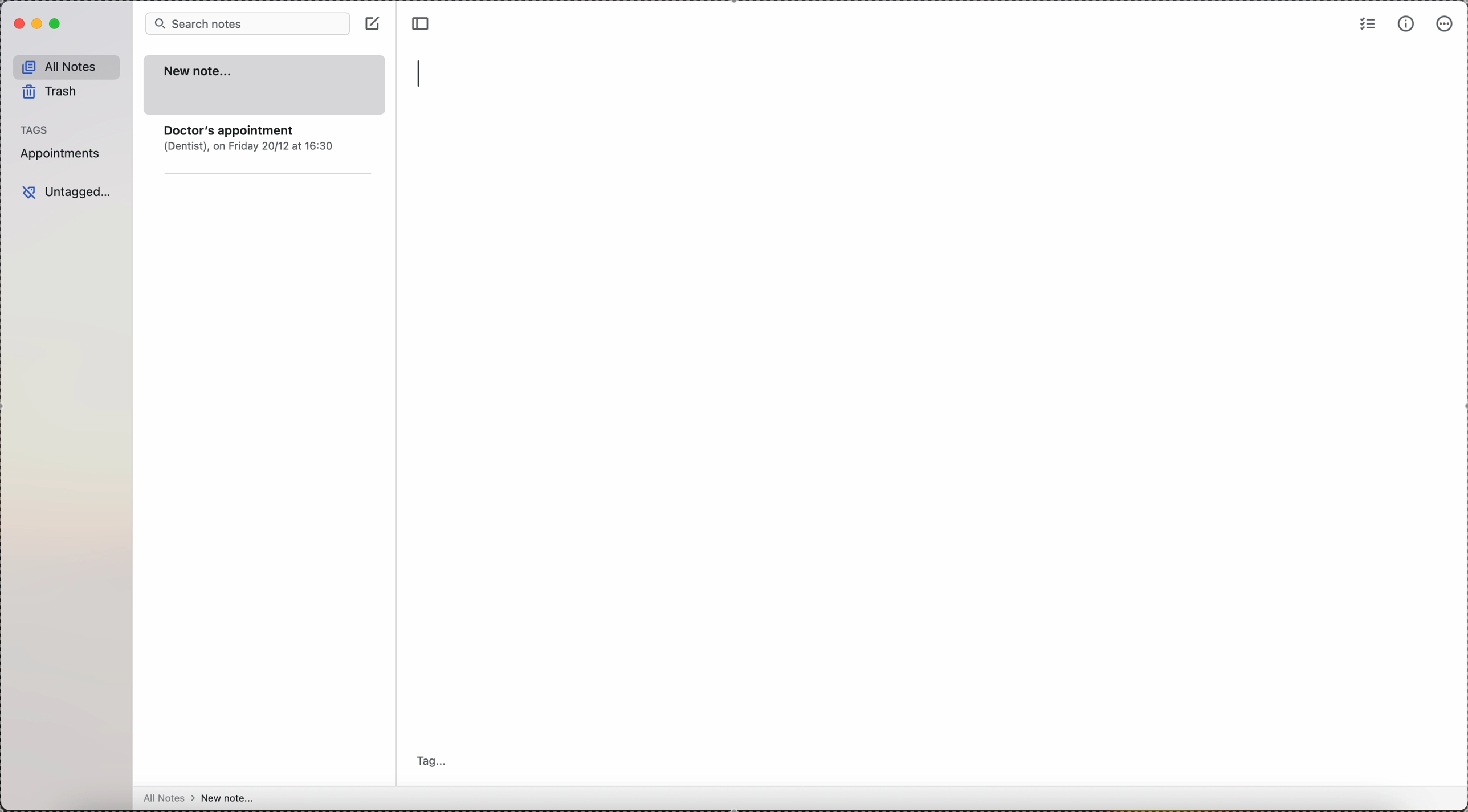  Describe the element at coordinates (247, 24) in the screenshot. I see `search bar` at that location.